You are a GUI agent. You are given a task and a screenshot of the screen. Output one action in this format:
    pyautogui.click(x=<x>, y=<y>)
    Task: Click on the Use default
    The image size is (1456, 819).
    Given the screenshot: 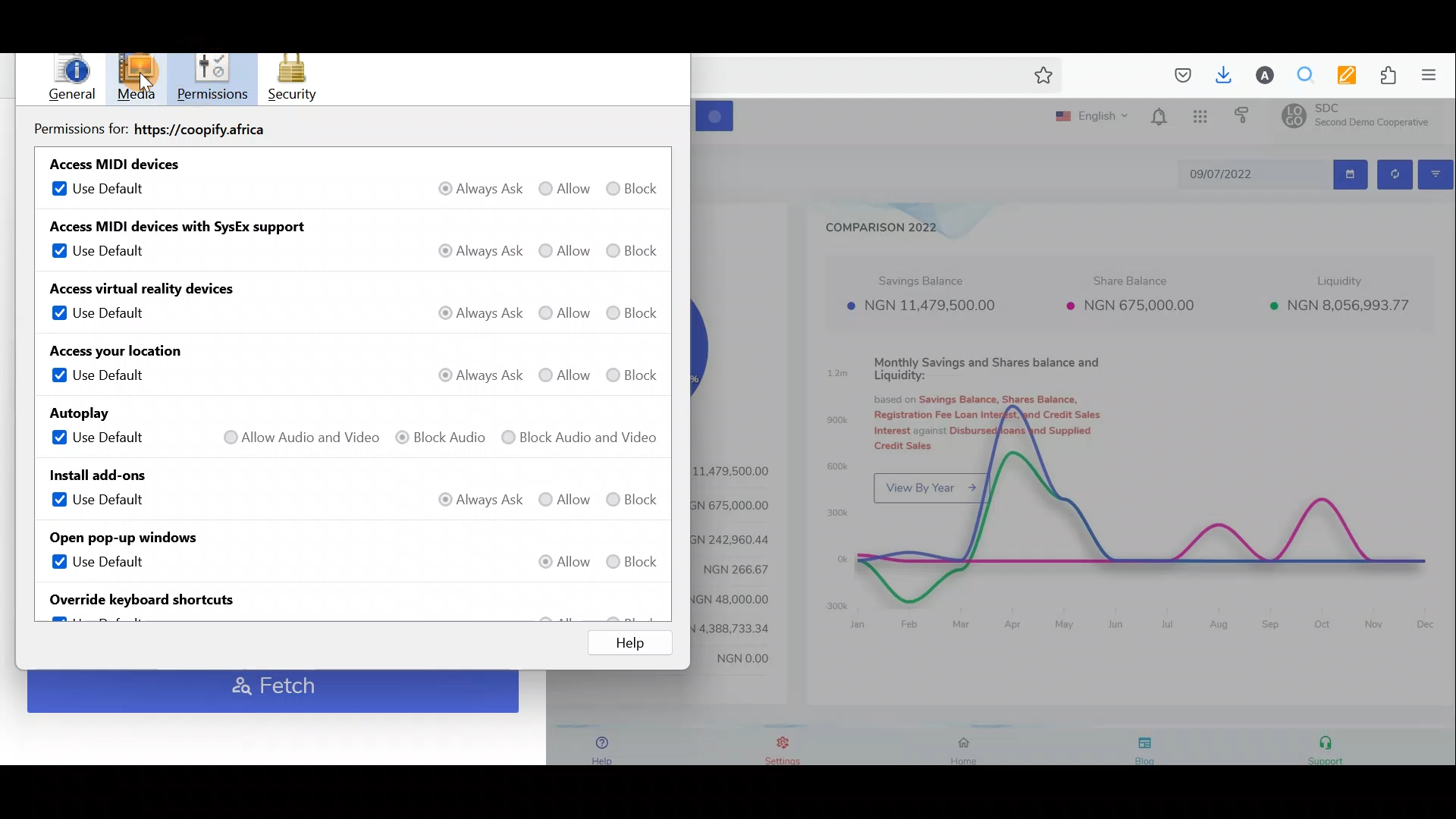 What is the action you would take?
    pyautogui.click(x=111, y=373)
    